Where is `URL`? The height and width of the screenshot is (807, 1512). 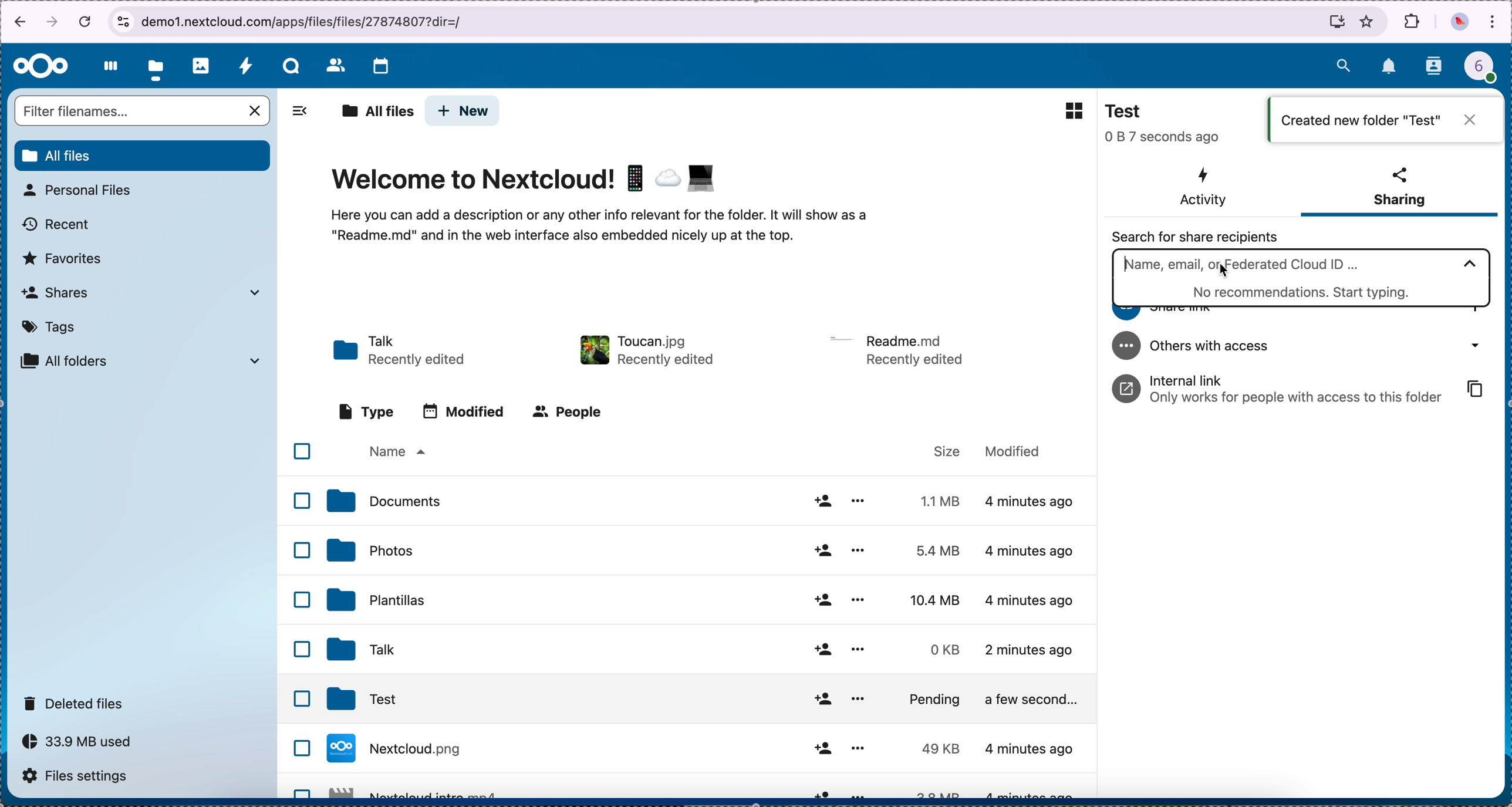 URL is located at coordinates (310, 20).